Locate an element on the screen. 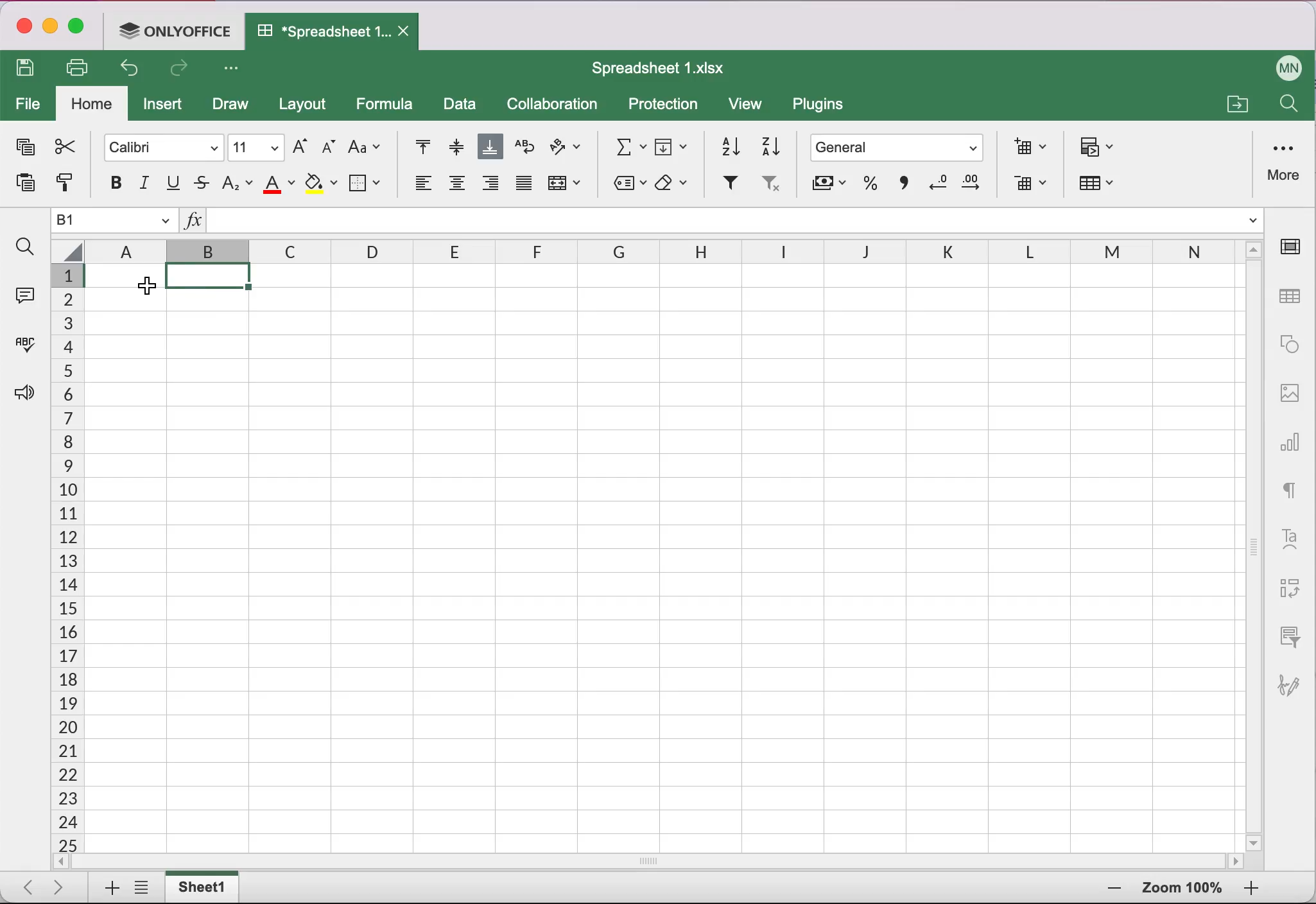 The width and height of the screenshot is (1316, 904). open file location is located at coordinates (1235, 102).